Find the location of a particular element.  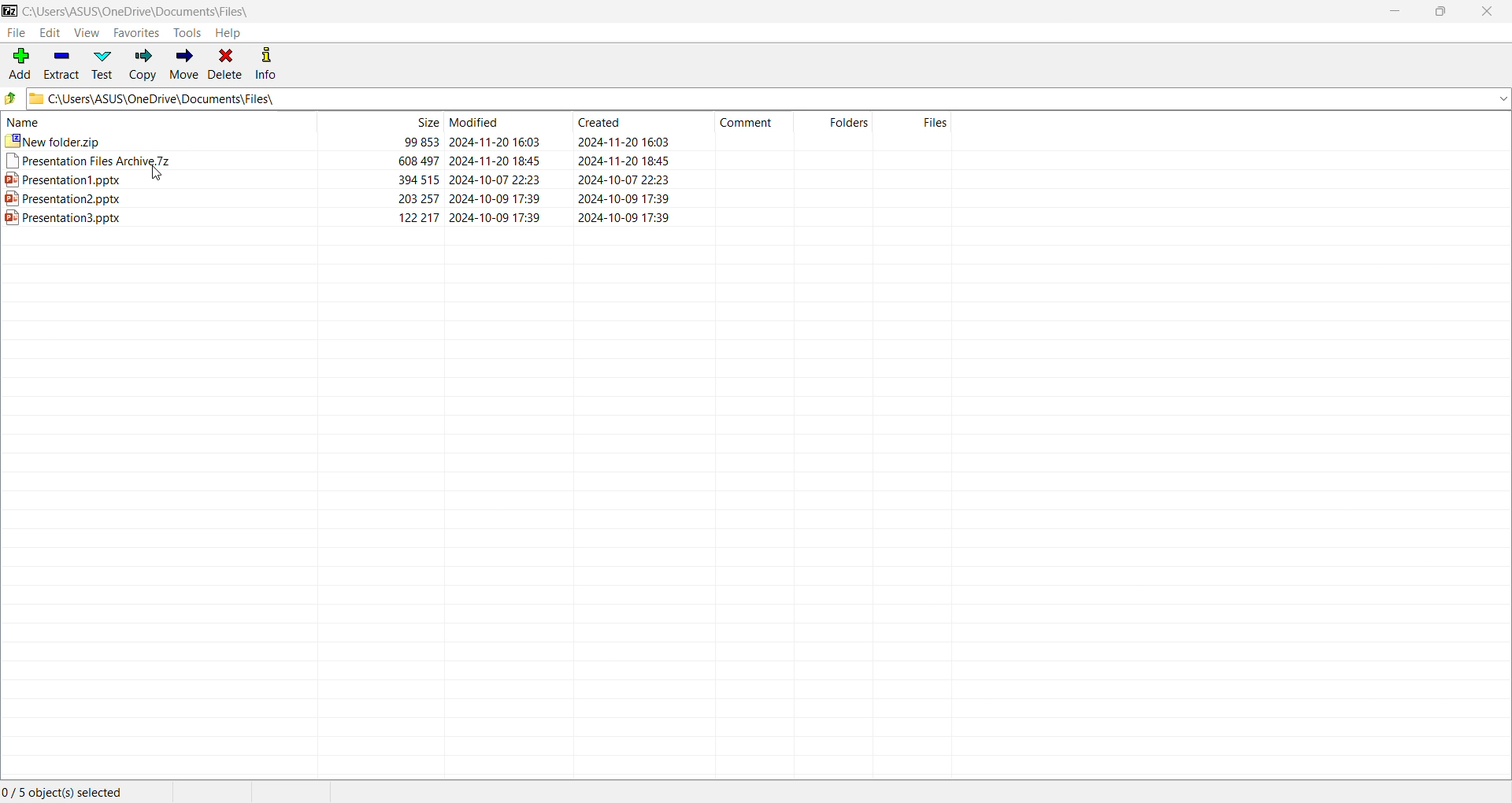

Move is located at coordinates (182, 65).